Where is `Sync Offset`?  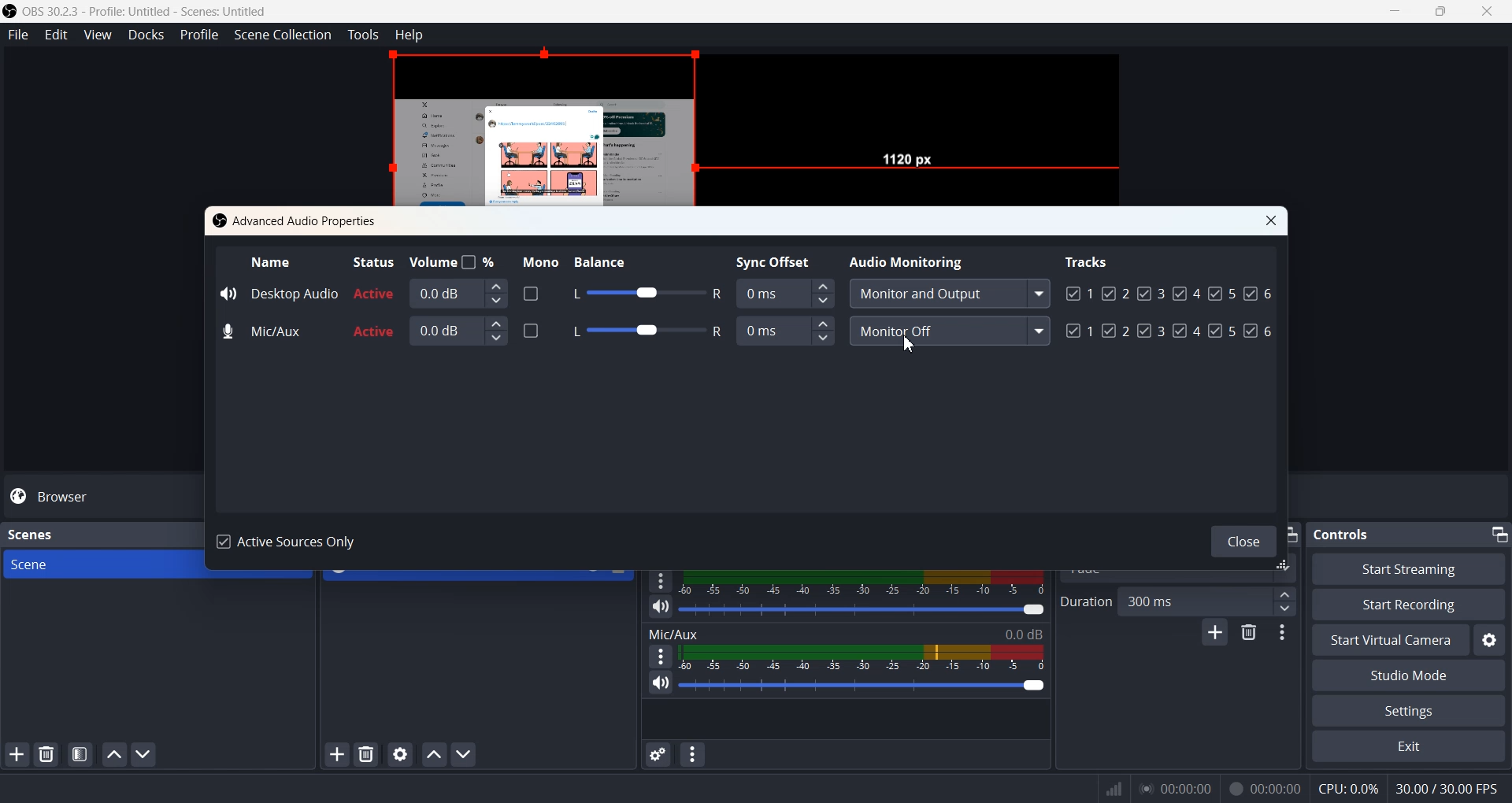
Sync Offset is located at coordinates (778, 260).